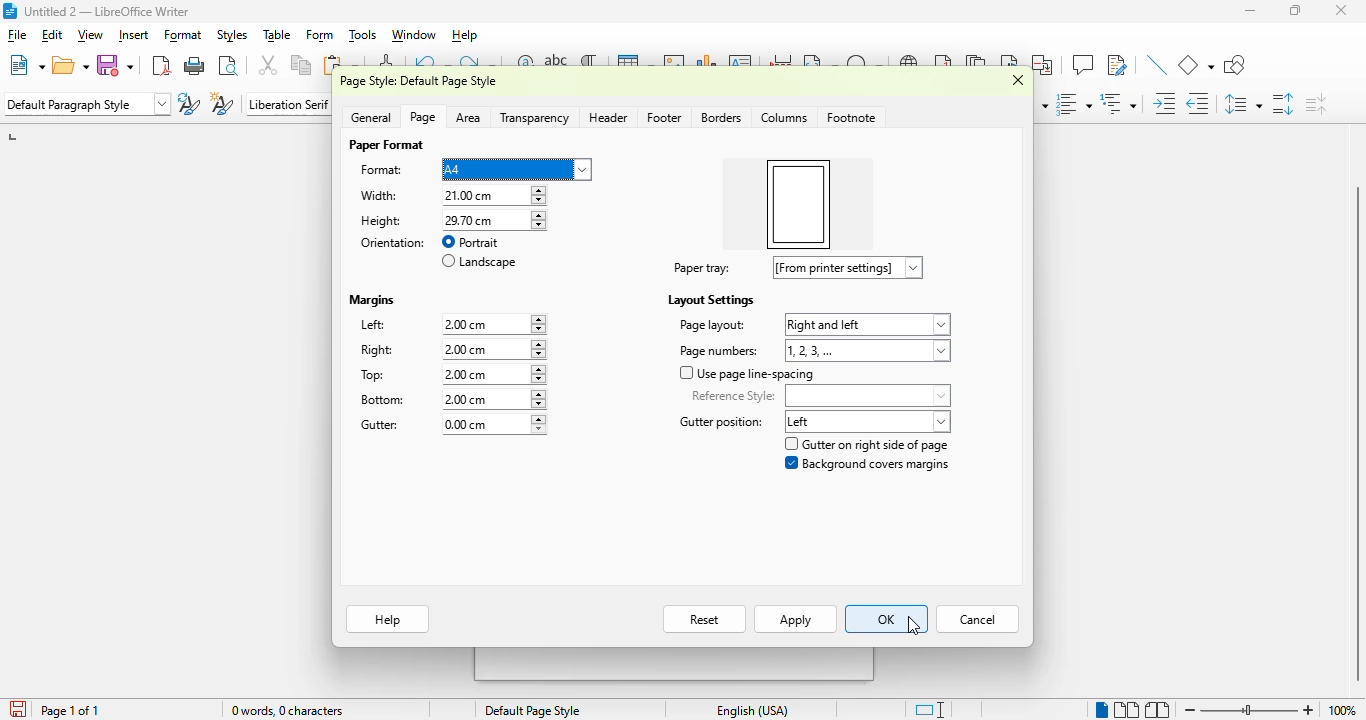 Image resolution: width=1366 pixels, height=720 pixels. Describe the element at coordinates (288, 710) in the screenshot. I see `word and character count` at that location.